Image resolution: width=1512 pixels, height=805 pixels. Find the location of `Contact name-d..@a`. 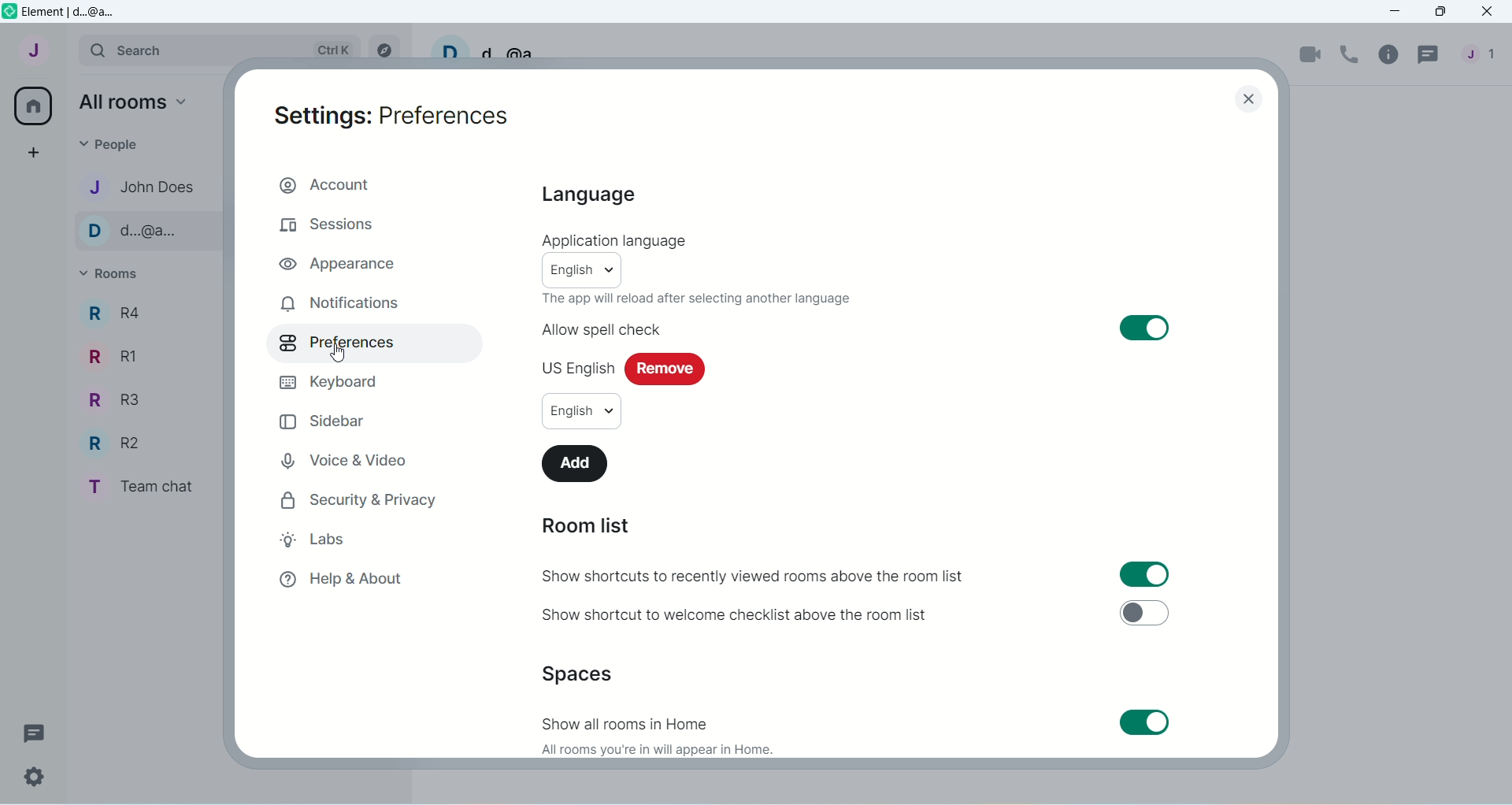

Contact name-d..@a is located at coordinates (143, 232).